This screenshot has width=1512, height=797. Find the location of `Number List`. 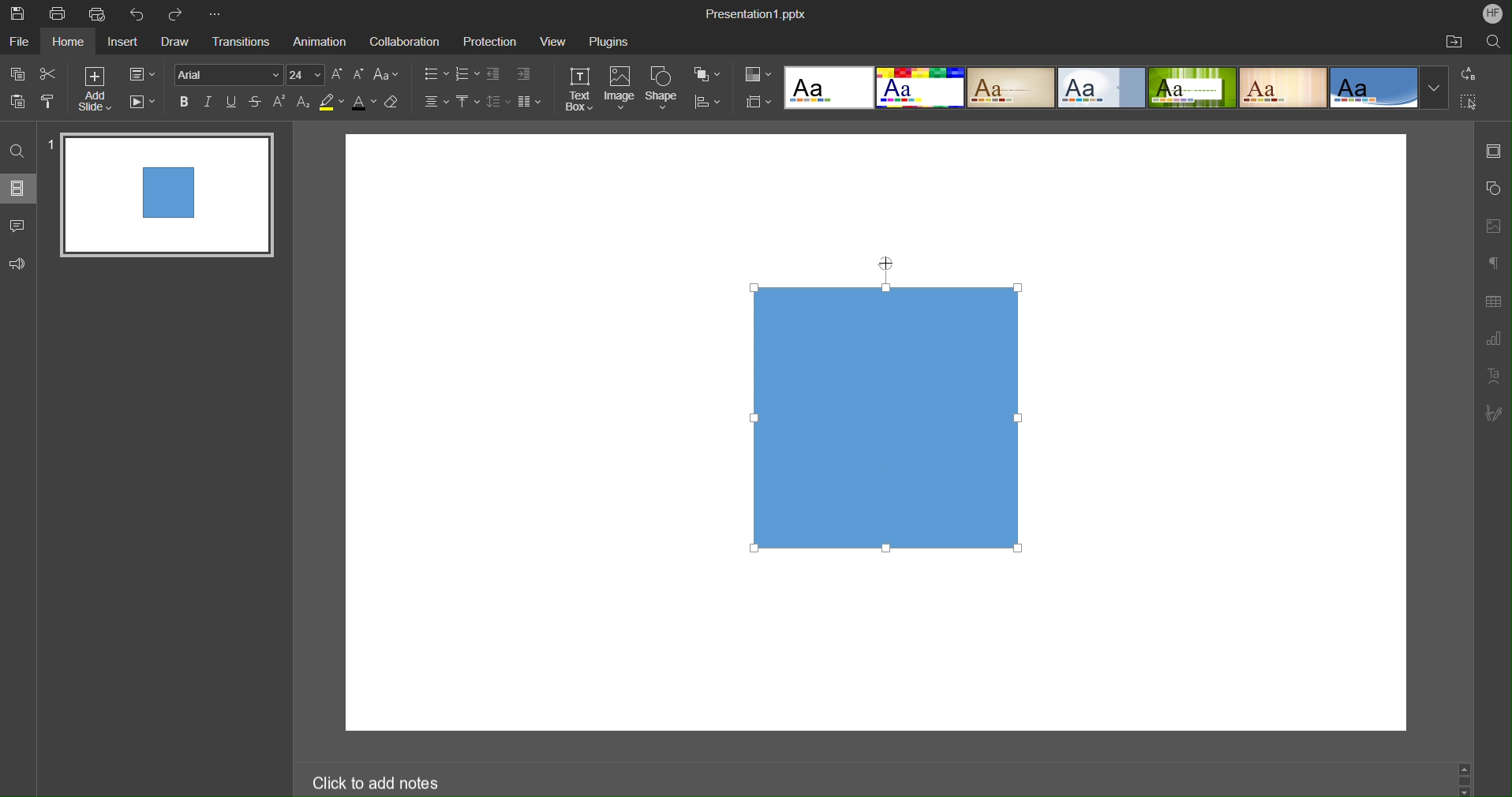

Number List is located at coordinates (468, 74).